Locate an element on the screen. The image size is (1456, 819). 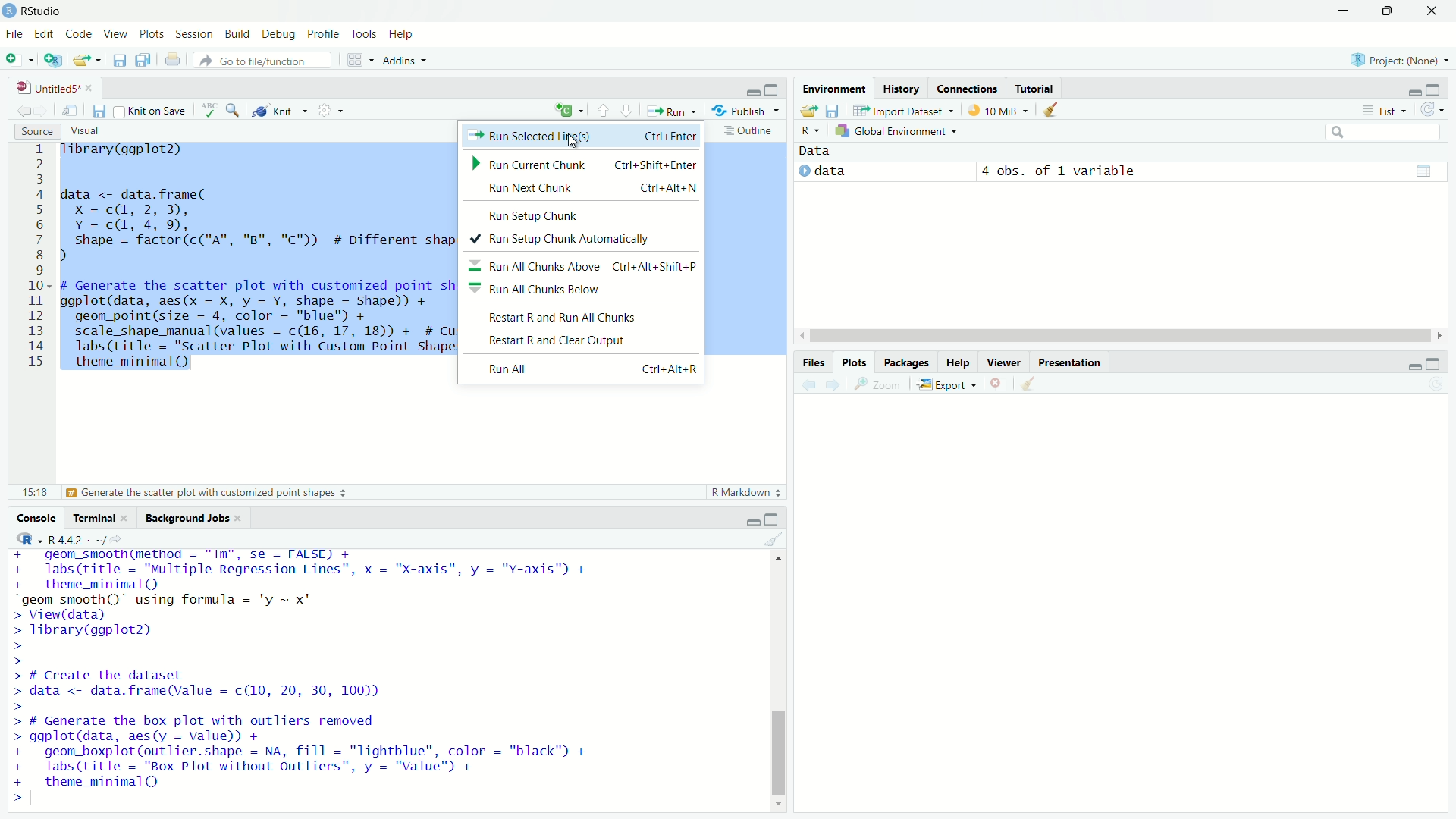
Refresh current plot is located at coordinates (1437, 384).